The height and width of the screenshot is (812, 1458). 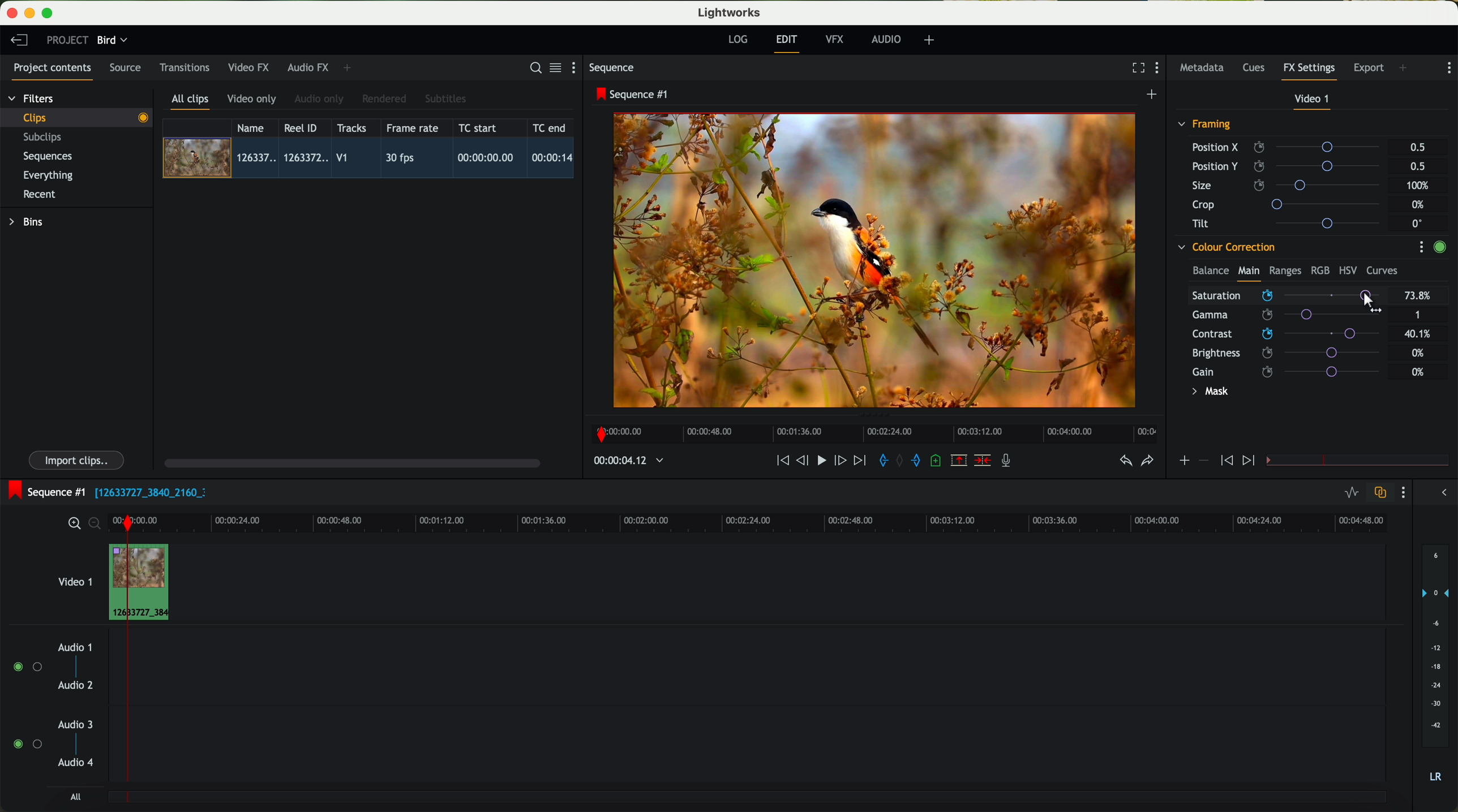 What do you see at coordinates (125, 68) in the screenshot?
I see `source` at bounding box center [125, 68].